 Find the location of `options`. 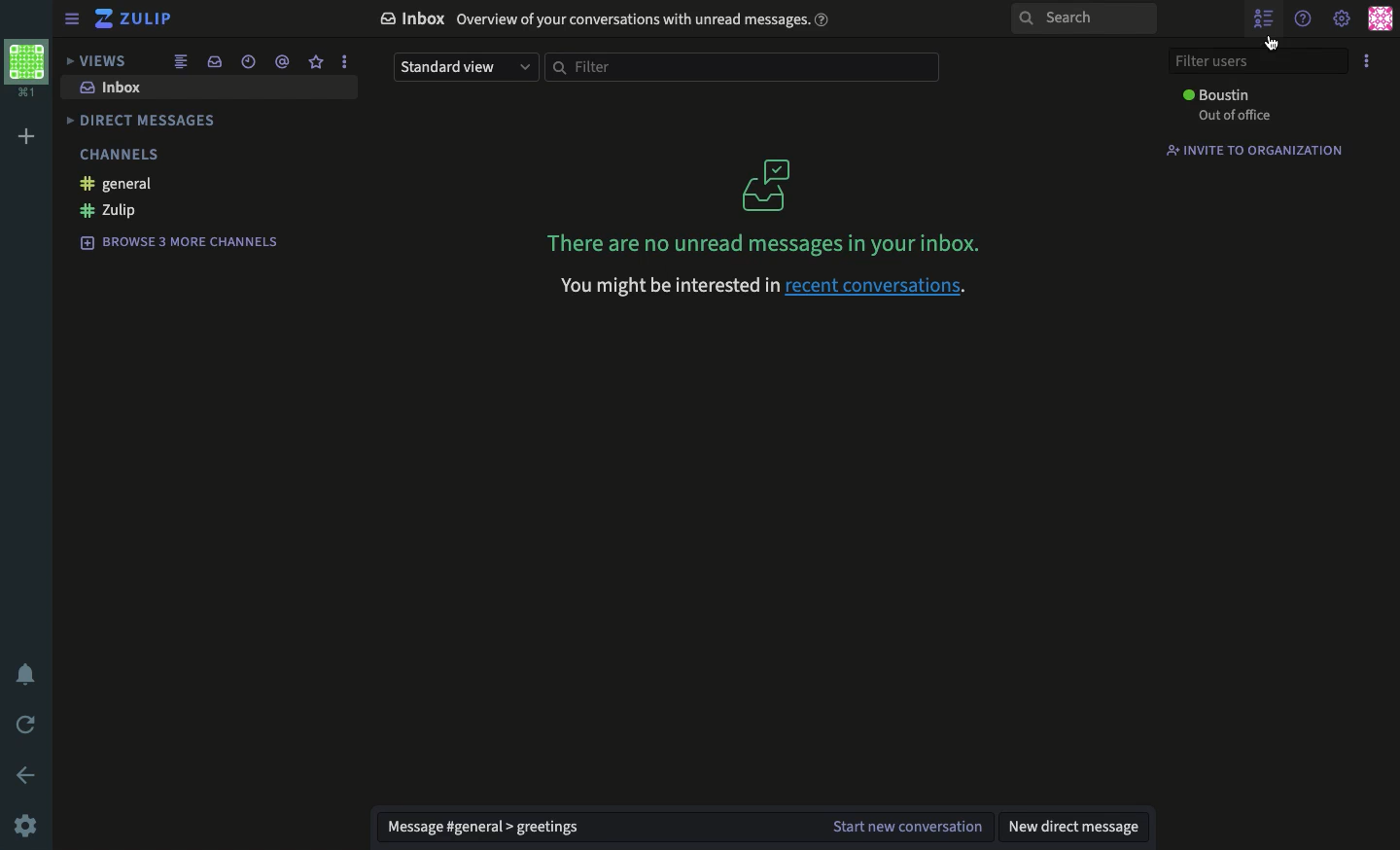

options is located at coordinates (1369, 60).